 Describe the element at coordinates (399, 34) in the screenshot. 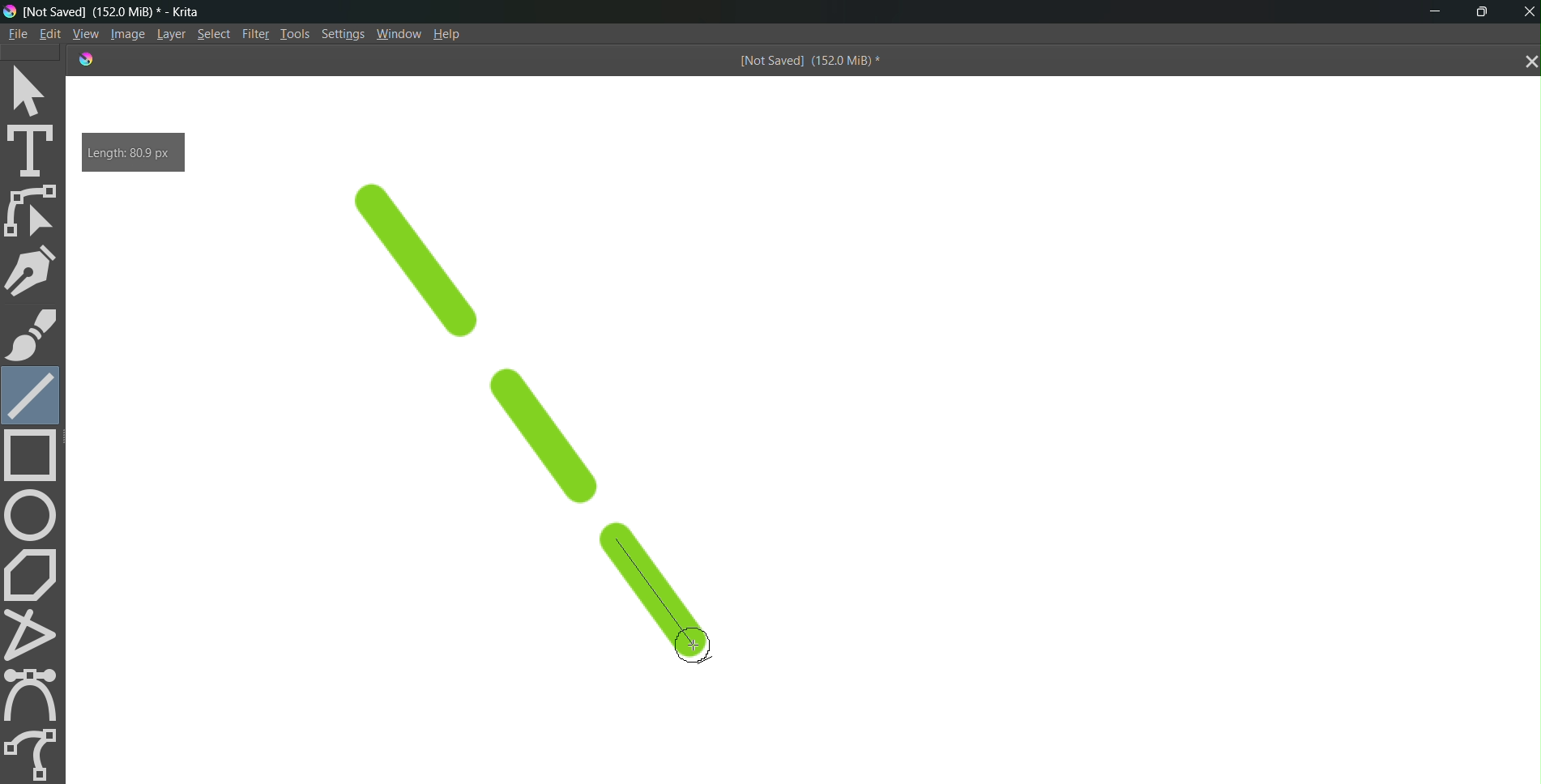

I see `Window` at that location.